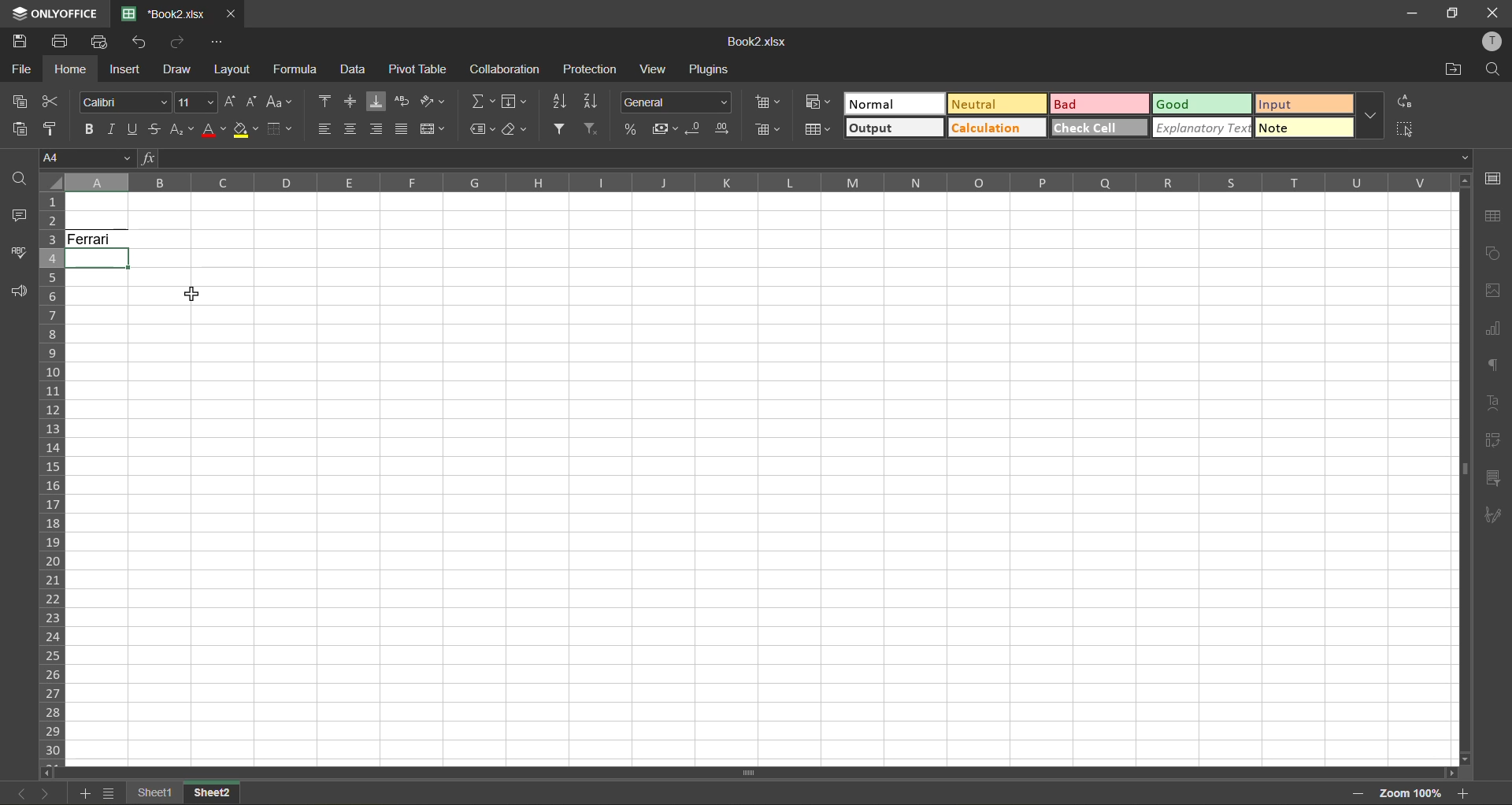  I want to click on cell setting, so click(1495, 180).